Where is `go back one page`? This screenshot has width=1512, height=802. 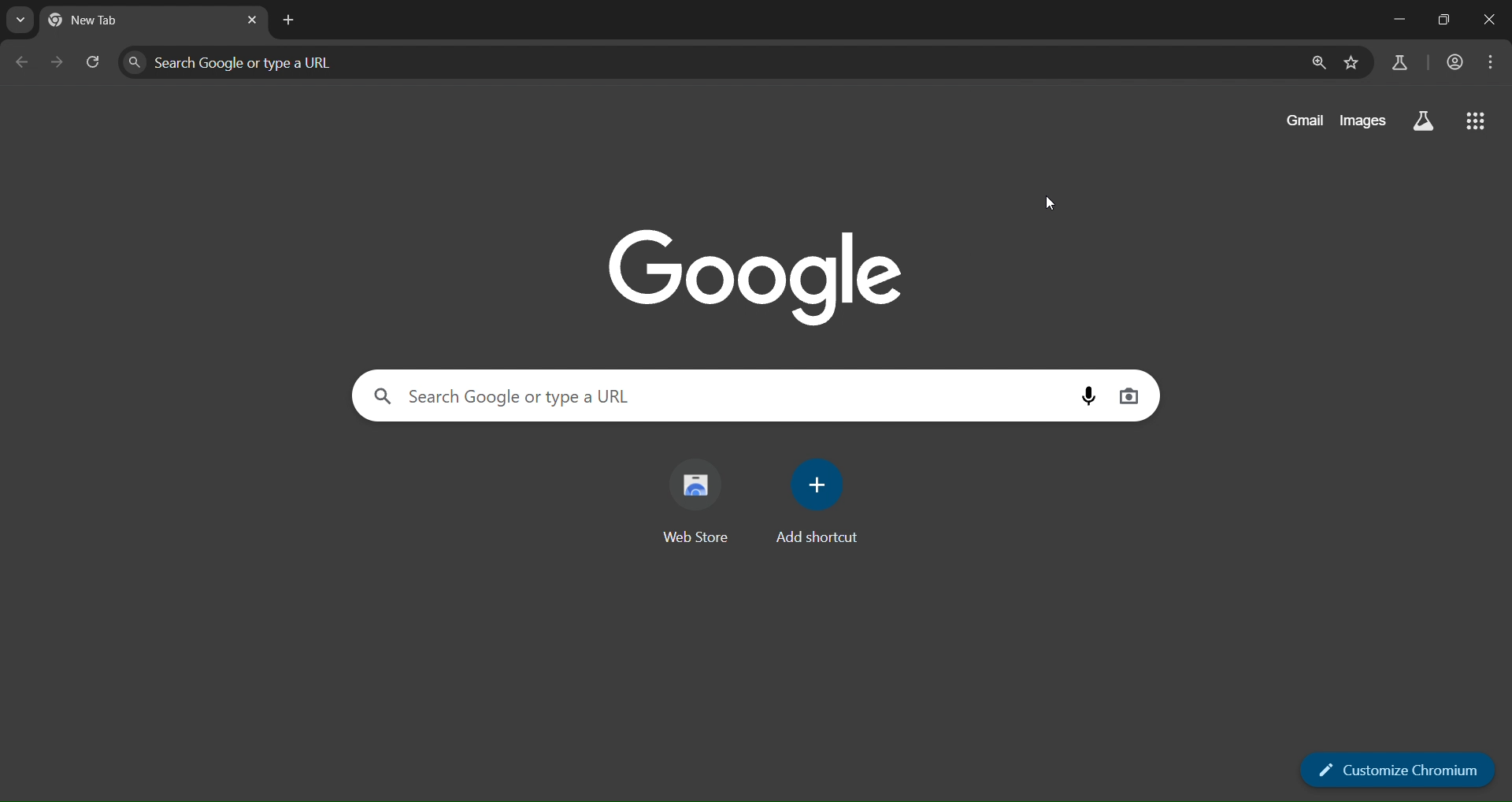
go back one page is located at coordinates (24, 60).